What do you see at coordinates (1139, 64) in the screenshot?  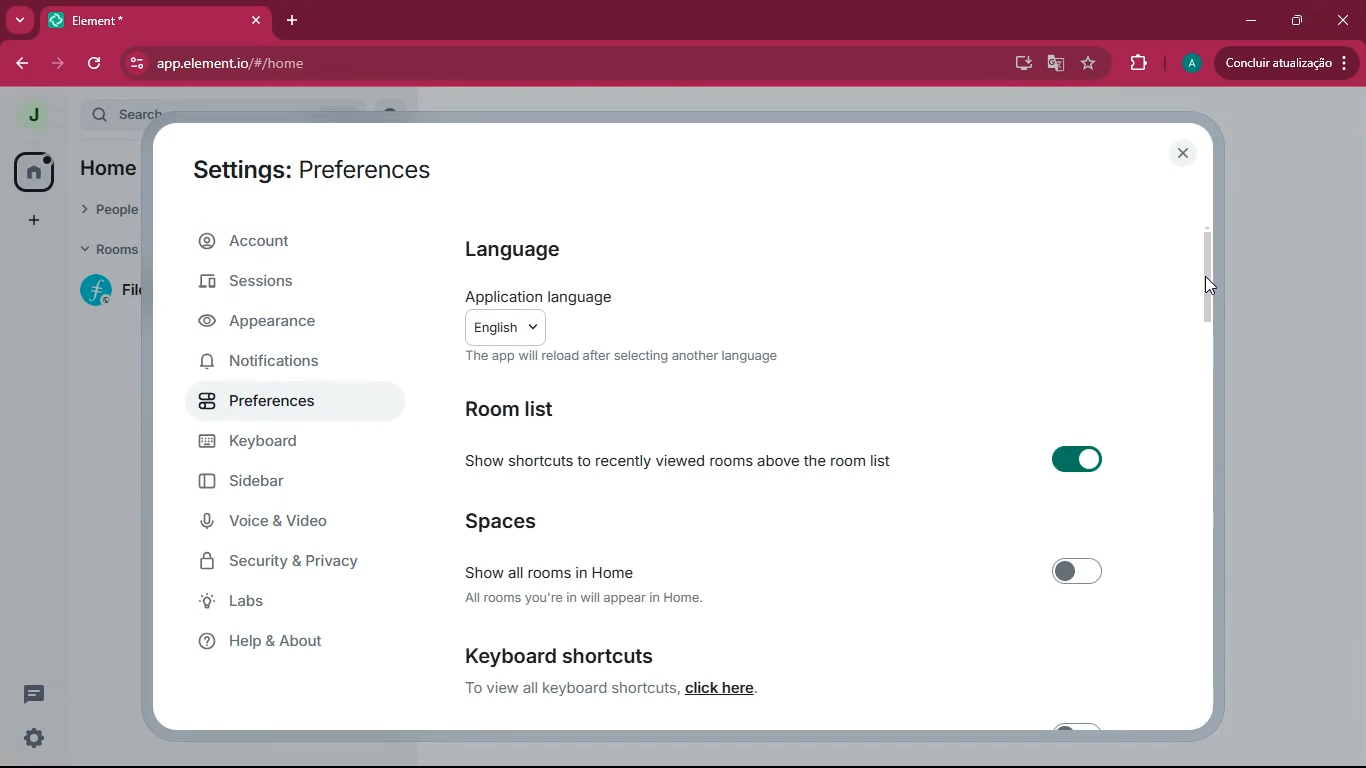 I see `extensions` at bounding box center [1139, 64].